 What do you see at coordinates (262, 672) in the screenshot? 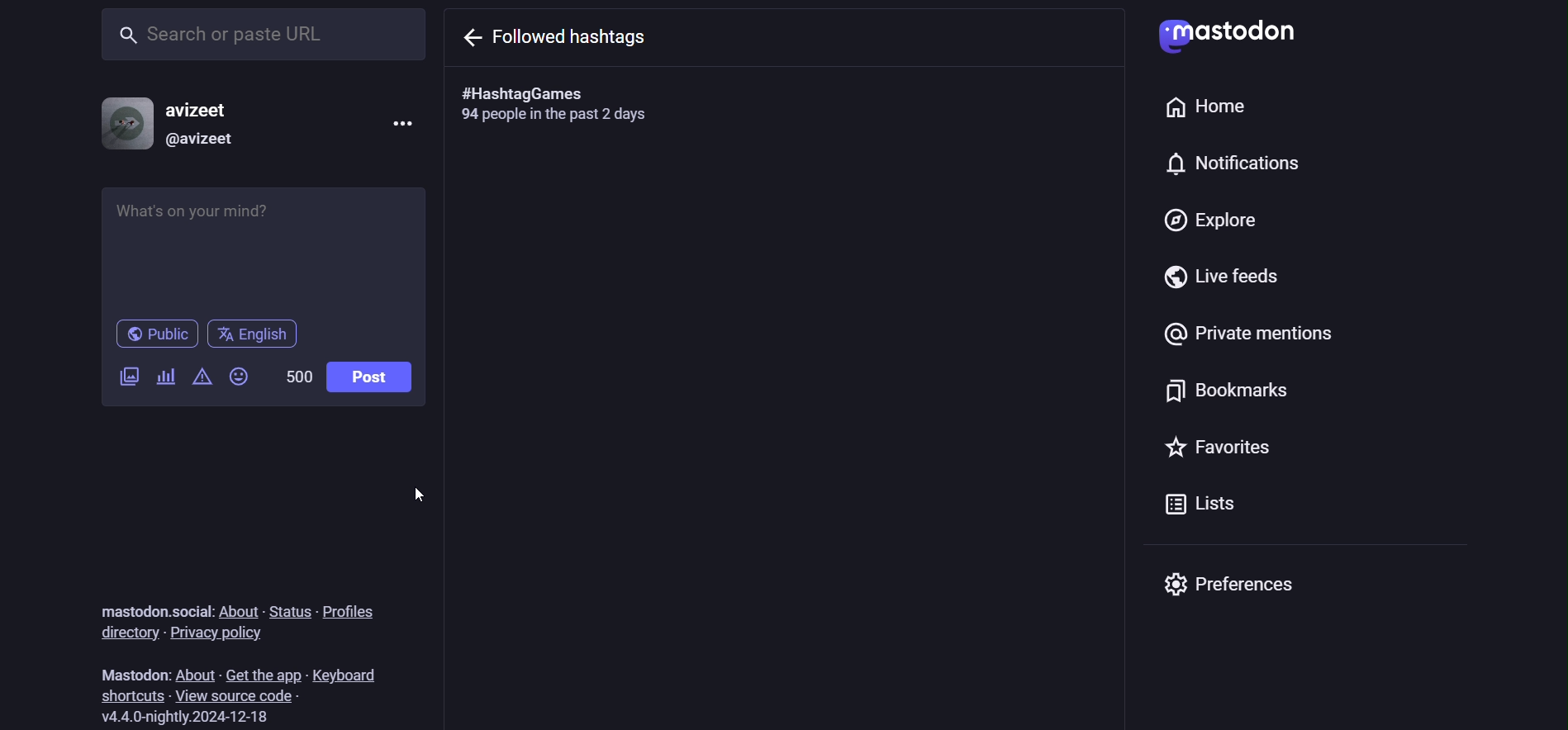
I see `get the app` at bounding box center [262, 672].